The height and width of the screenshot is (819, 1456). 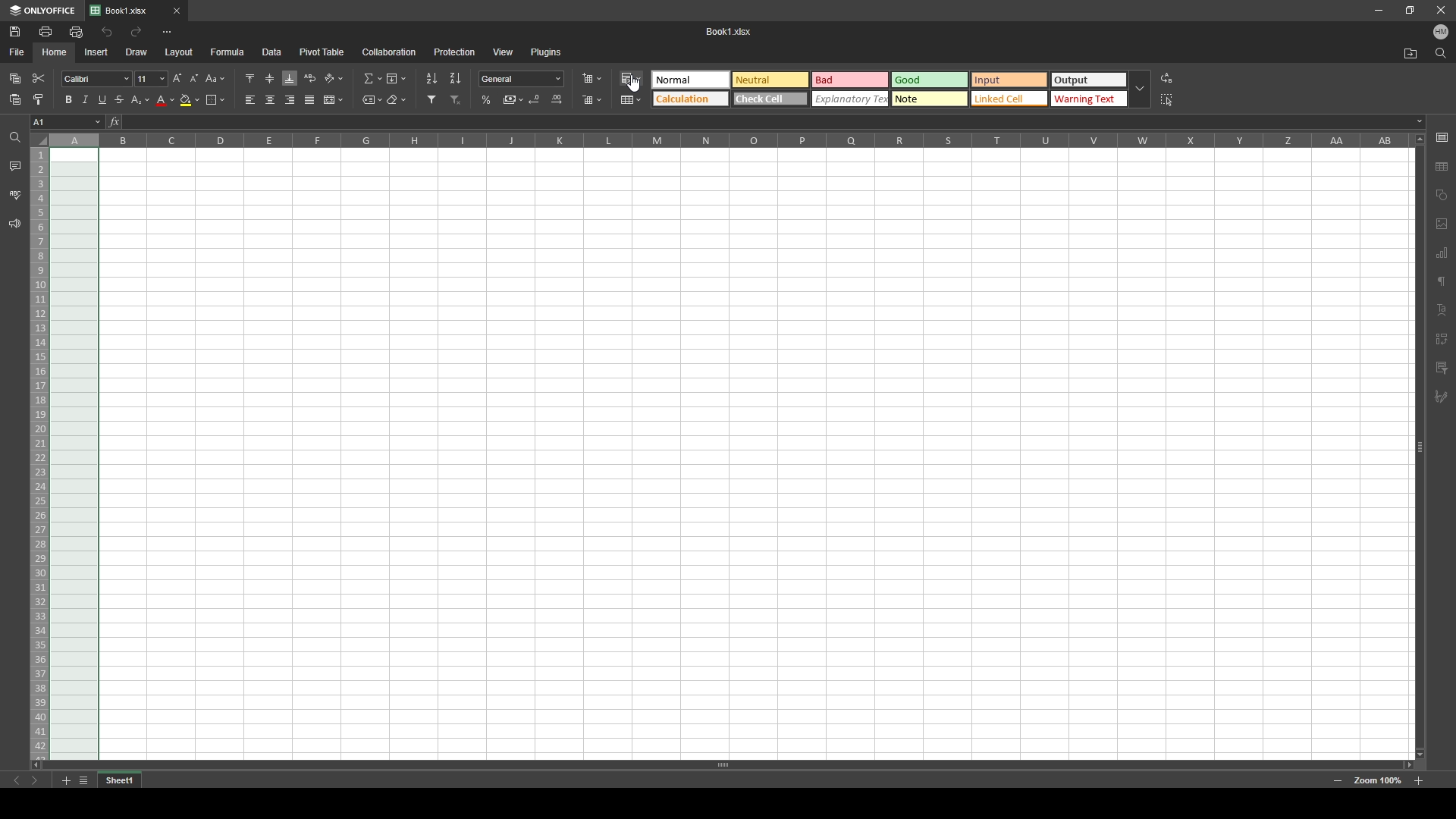 What do you see at coordinates (66, 121) in the screenshot?
I see `chosen cell` at bounding box center [66, 121].